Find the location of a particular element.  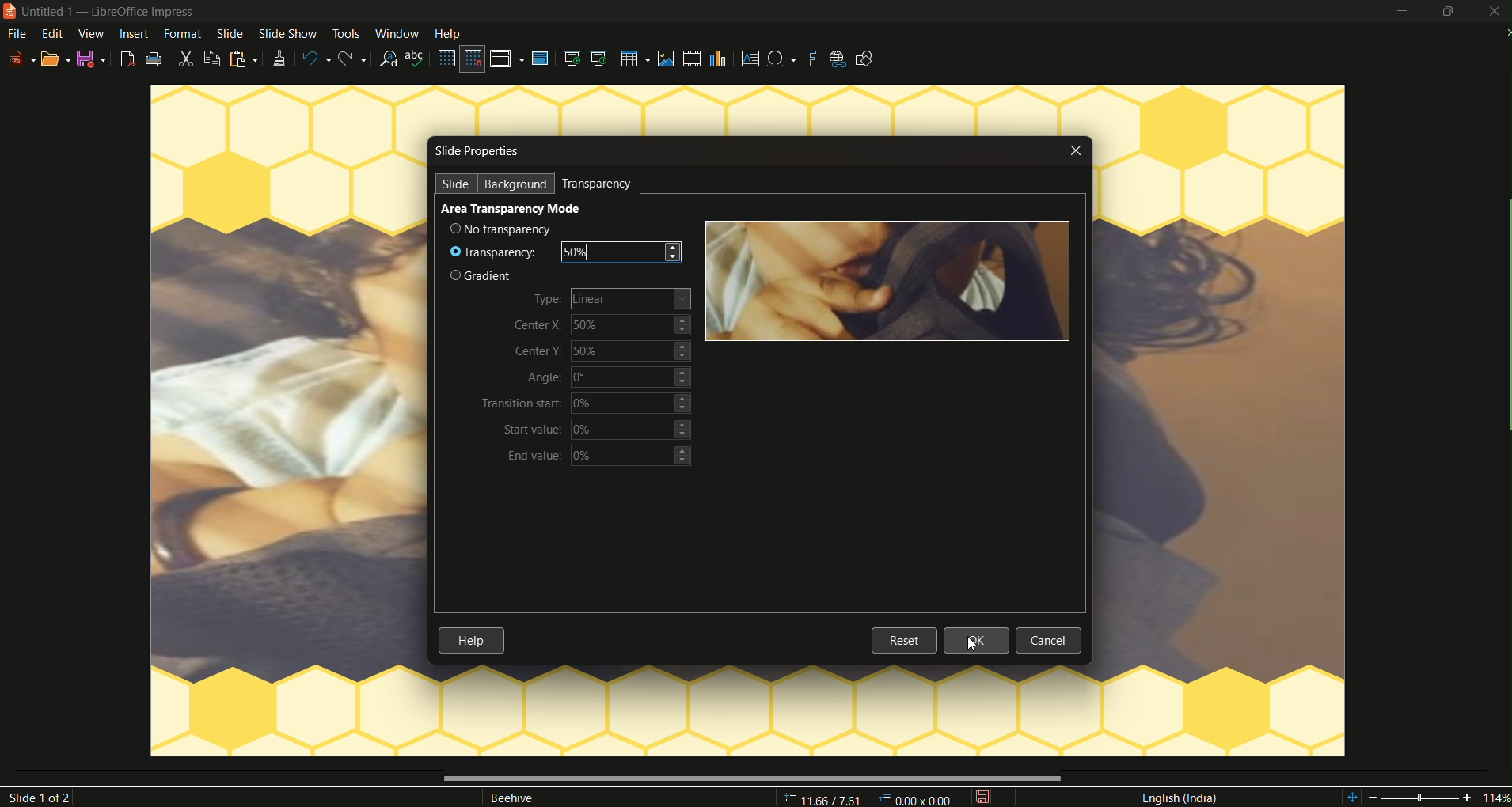

insert audio video is located at coordinates (693, 59).